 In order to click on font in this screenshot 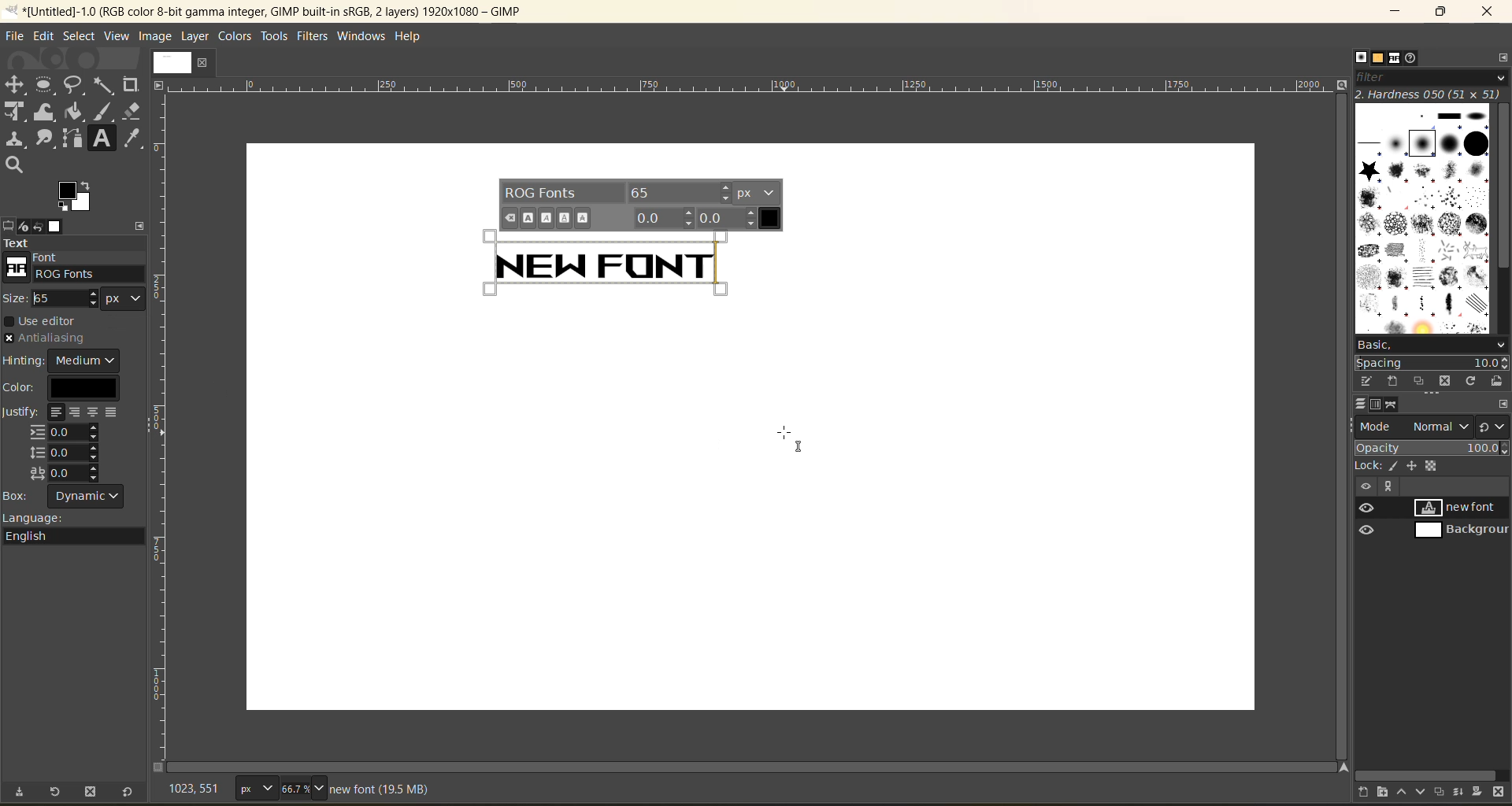, I will do `click(65, 256)`.